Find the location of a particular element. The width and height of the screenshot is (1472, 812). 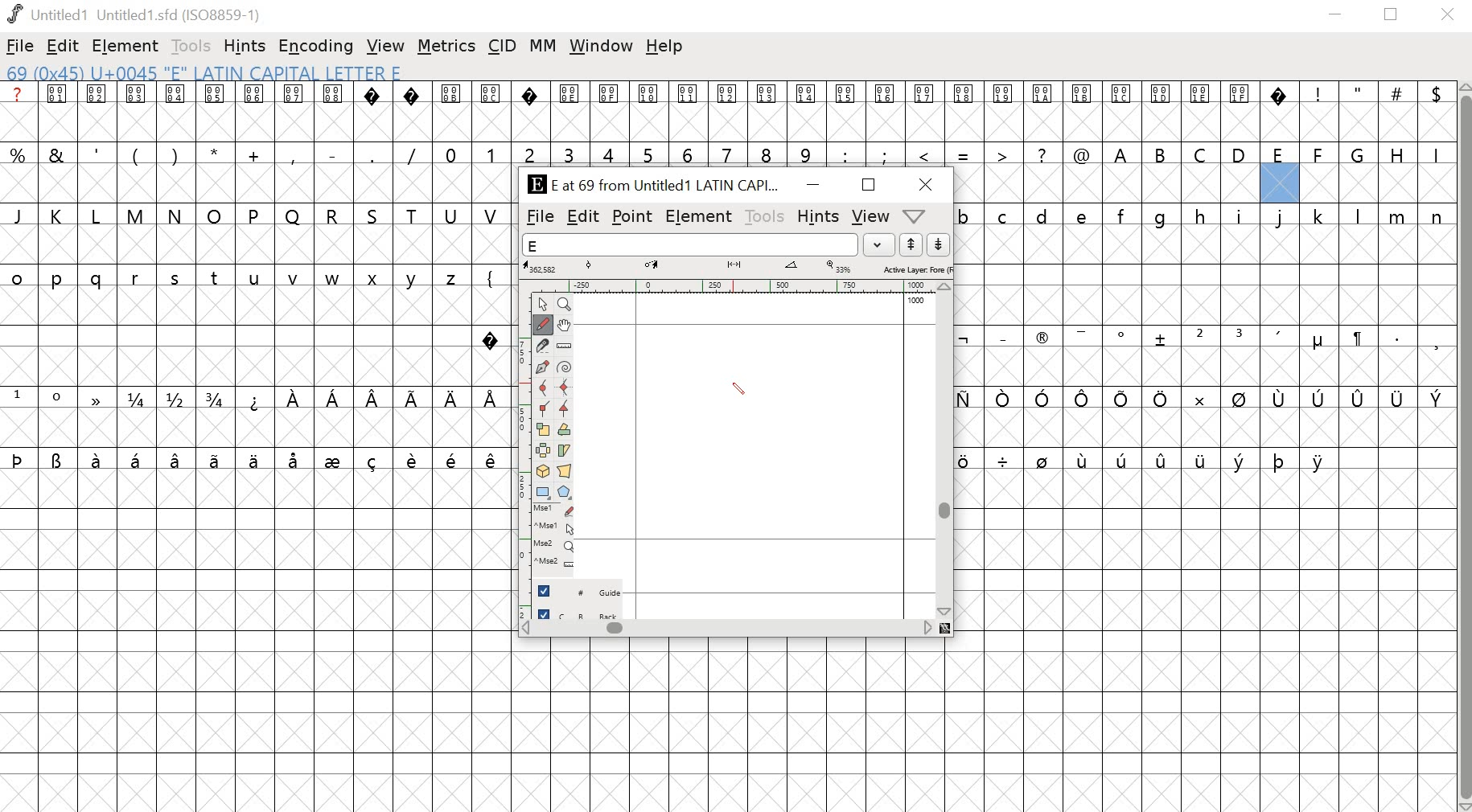

special characters and empty cells is located at coordinates (1202, 461).